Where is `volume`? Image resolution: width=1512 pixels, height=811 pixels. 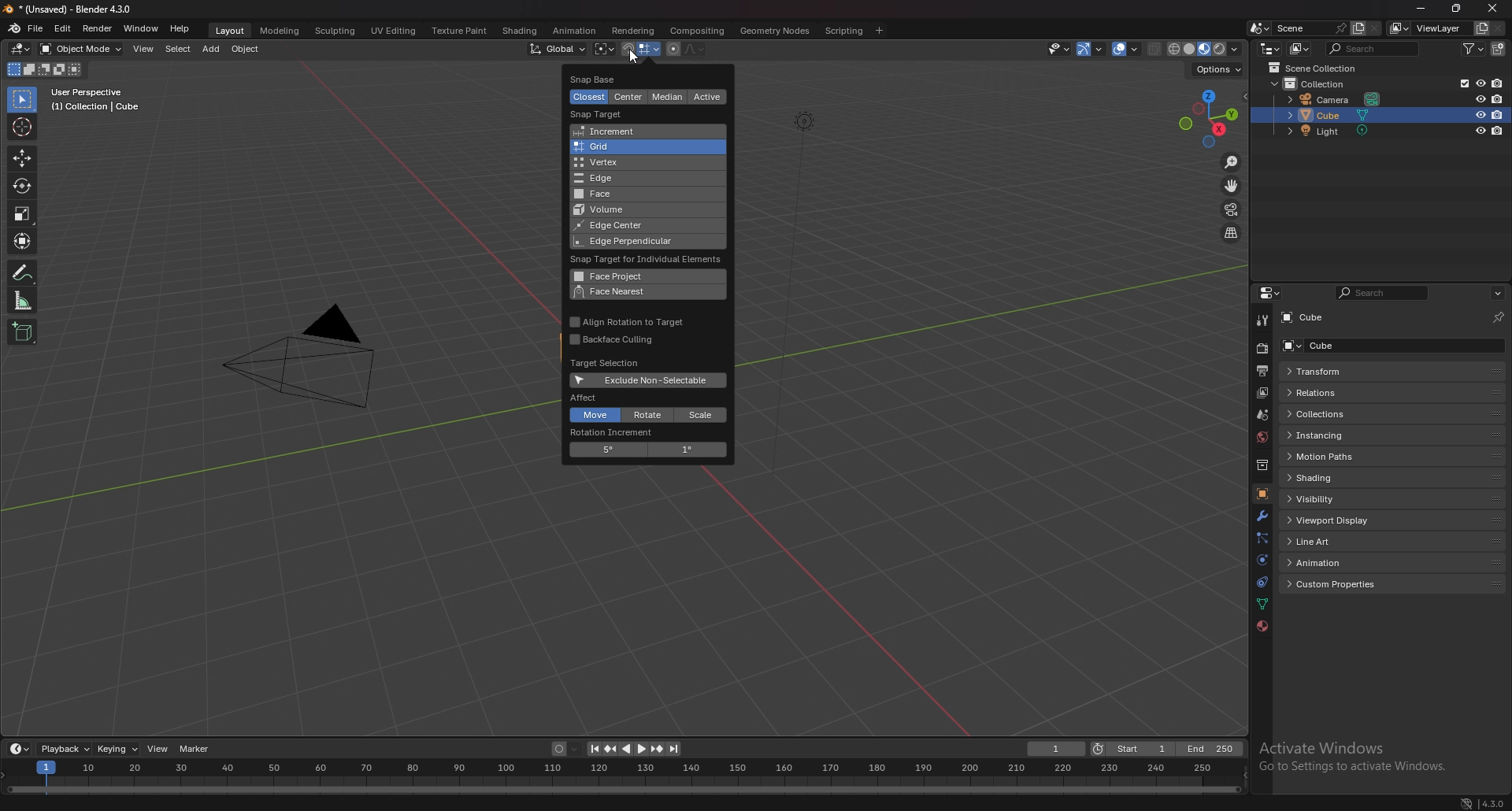 volume is located at coordinates (621, 210).